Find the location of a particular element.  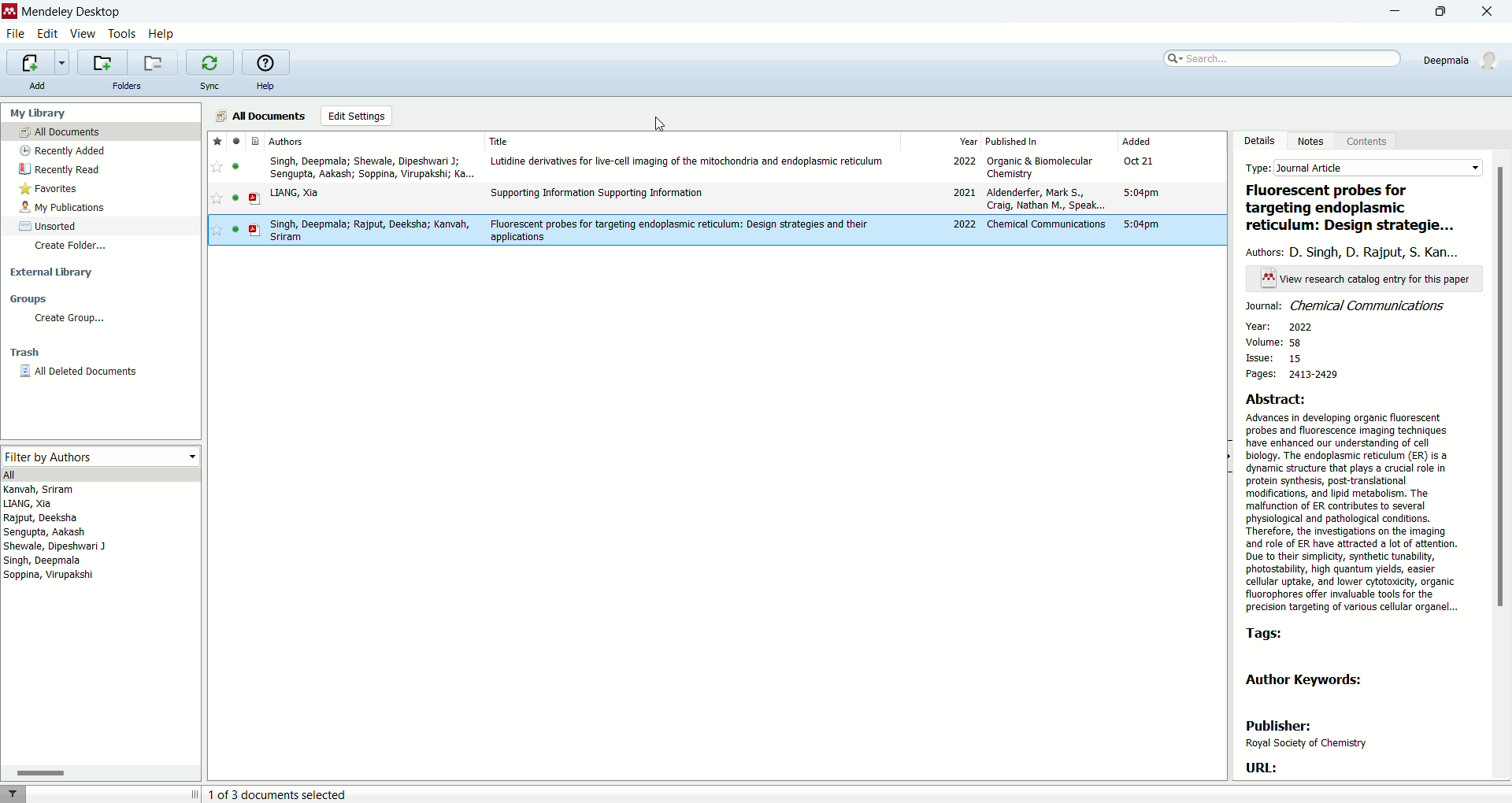

logo is located at coordinates (9, 10).